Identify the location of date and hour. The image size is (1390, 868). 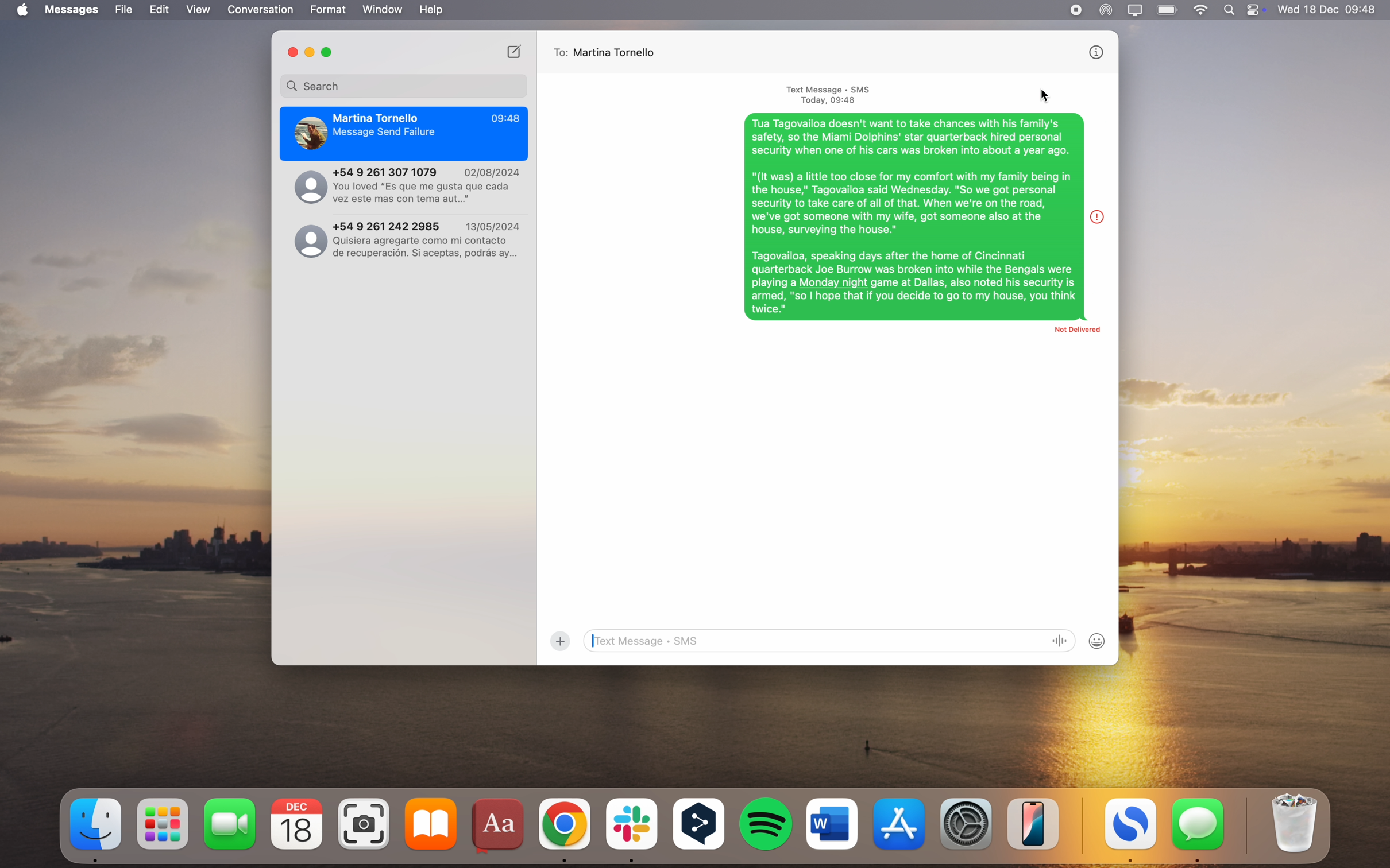
(1328, 9).